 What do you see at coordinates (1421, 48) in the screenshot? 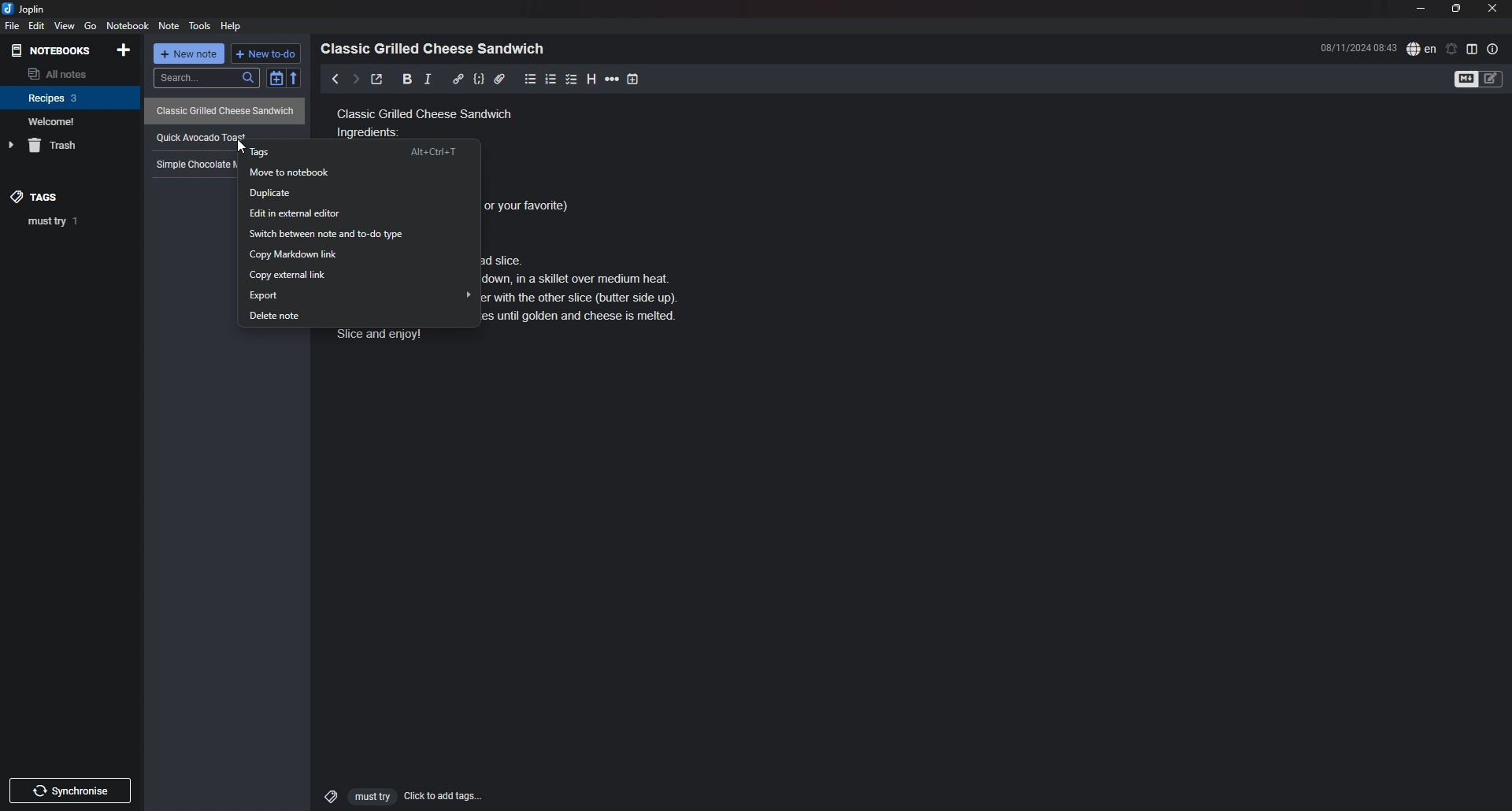
I see `spell check` at bounding box center [1421, 48].